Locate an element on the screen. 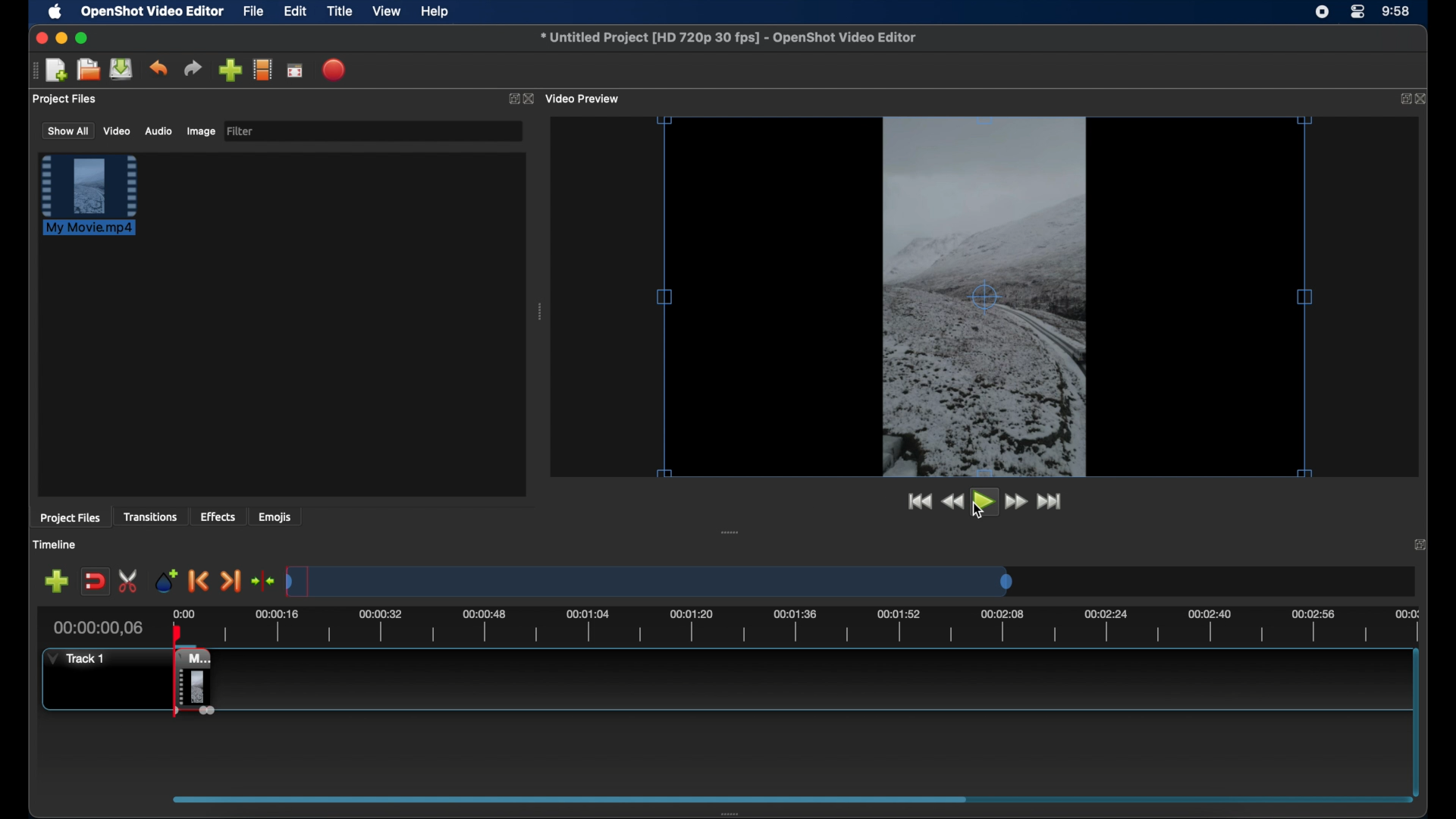 The image size is (1456, 819). 0.00 is located at coordinates (180, 615).